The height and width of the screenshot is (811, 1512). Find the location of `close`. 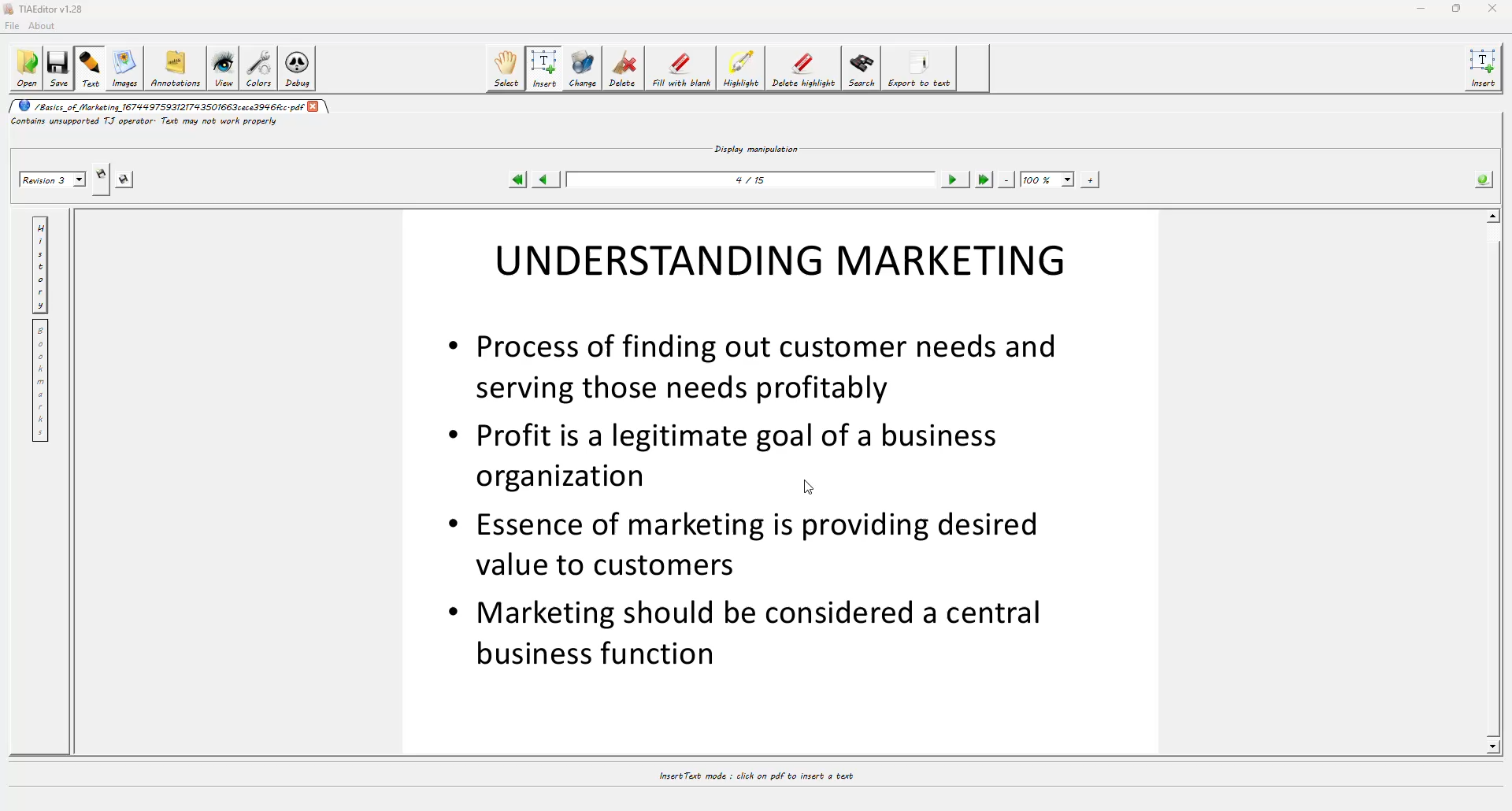

close is located at coordinates (316, 106).